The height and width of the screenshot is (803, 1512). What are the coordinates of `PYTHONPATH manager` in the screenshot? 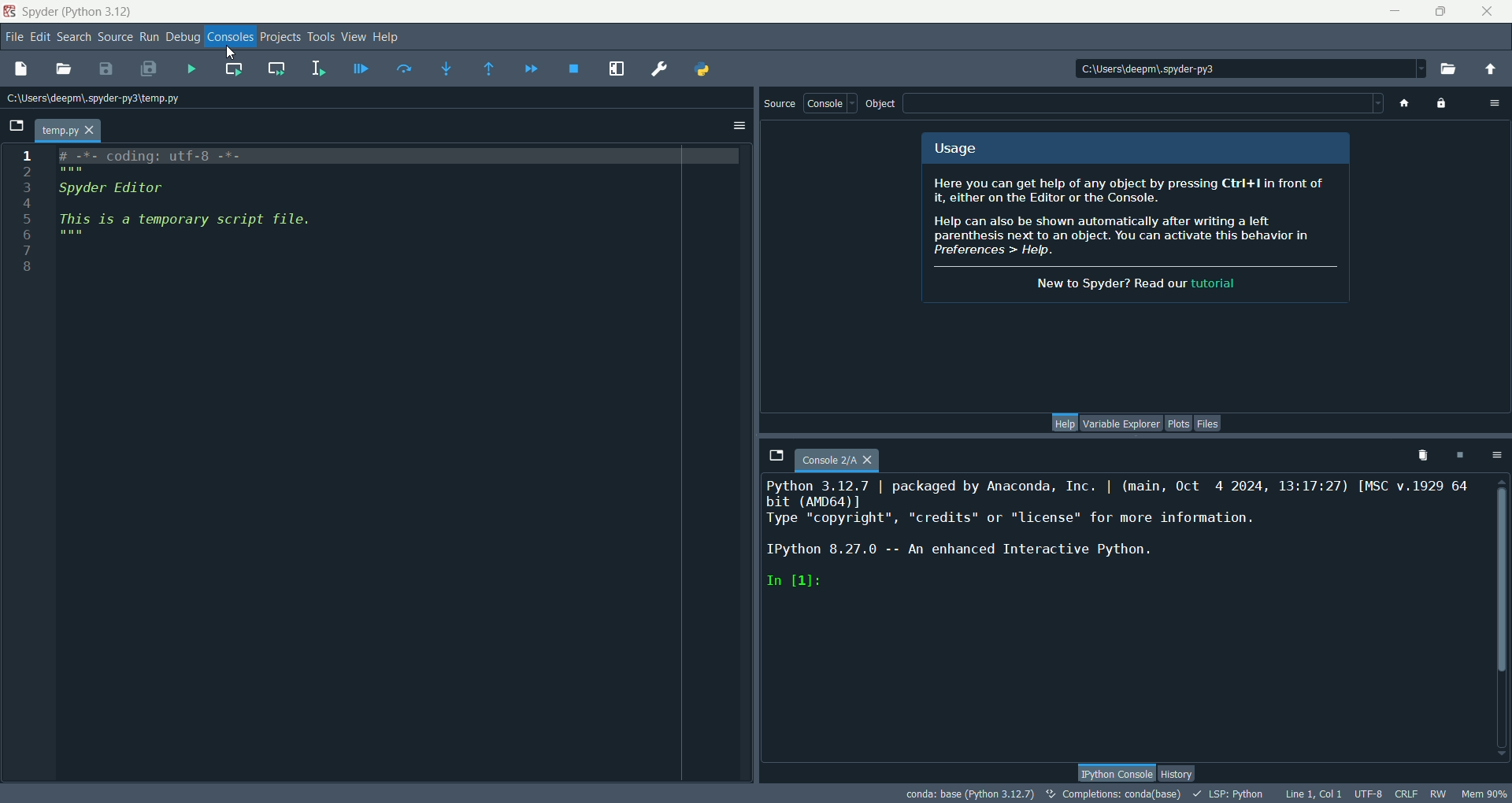 It's located at (702, 71).